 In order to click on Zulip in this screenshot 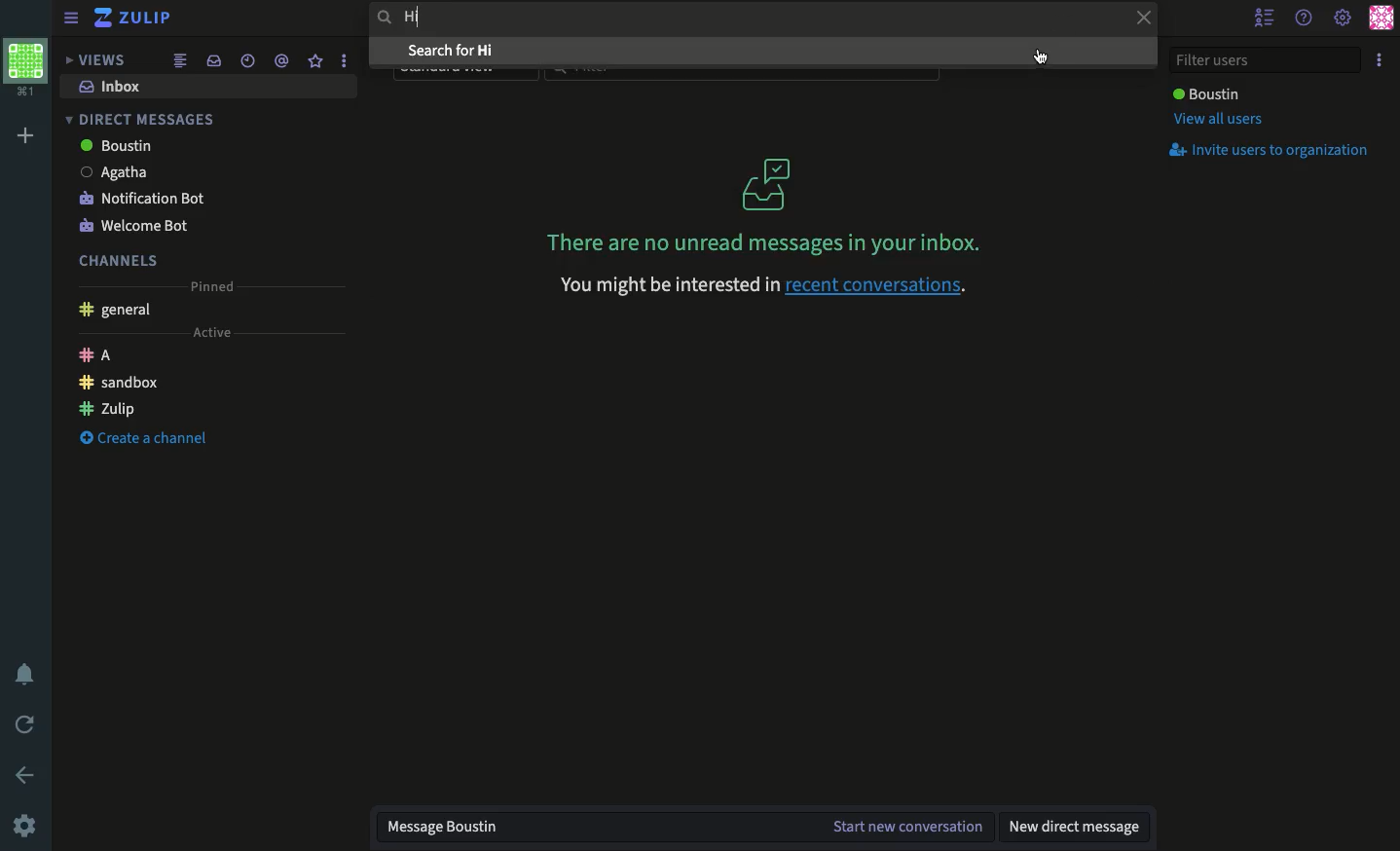, I will do `click(136, 18)`.